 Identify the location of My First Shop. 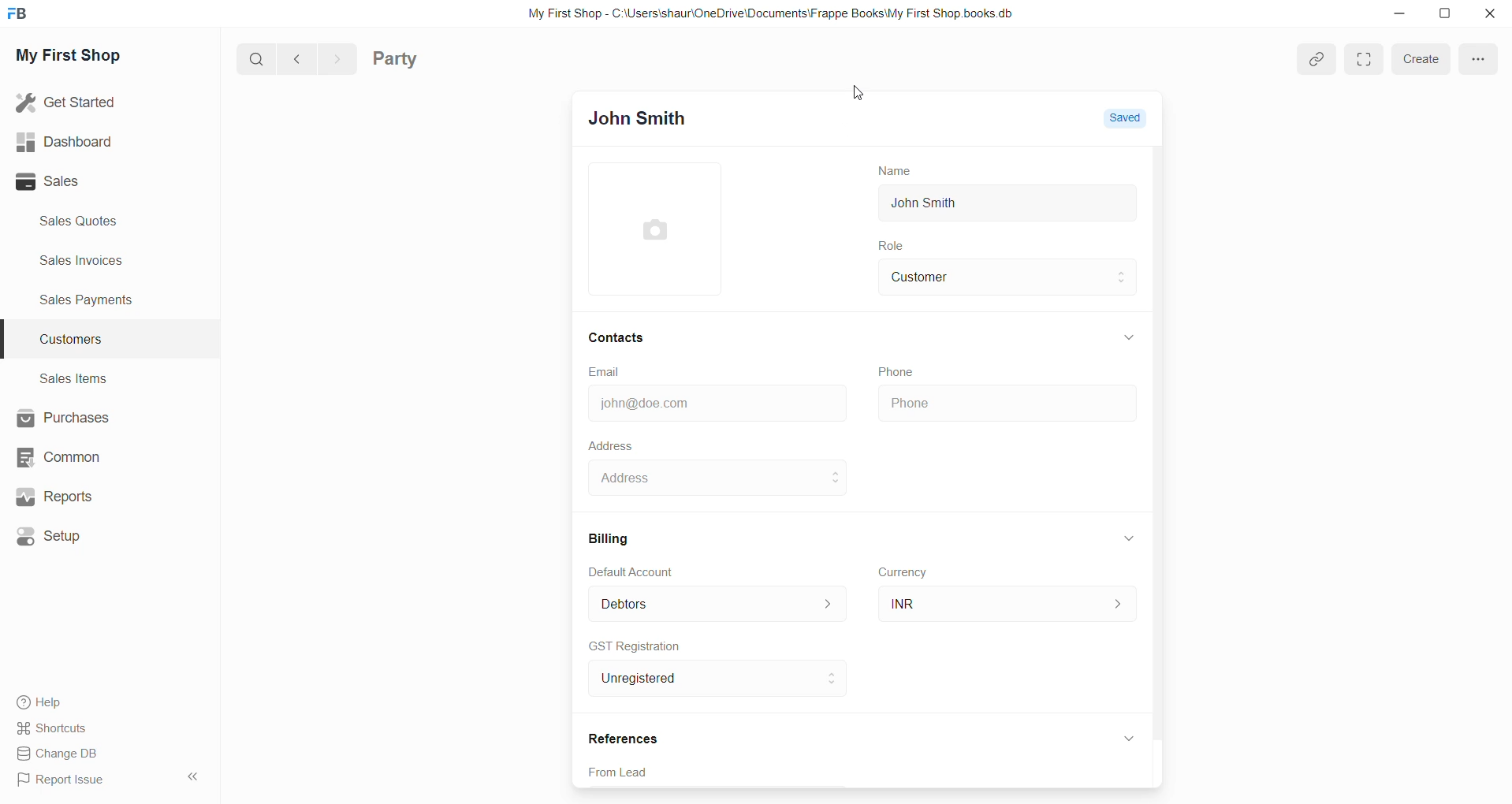
(87, 60).